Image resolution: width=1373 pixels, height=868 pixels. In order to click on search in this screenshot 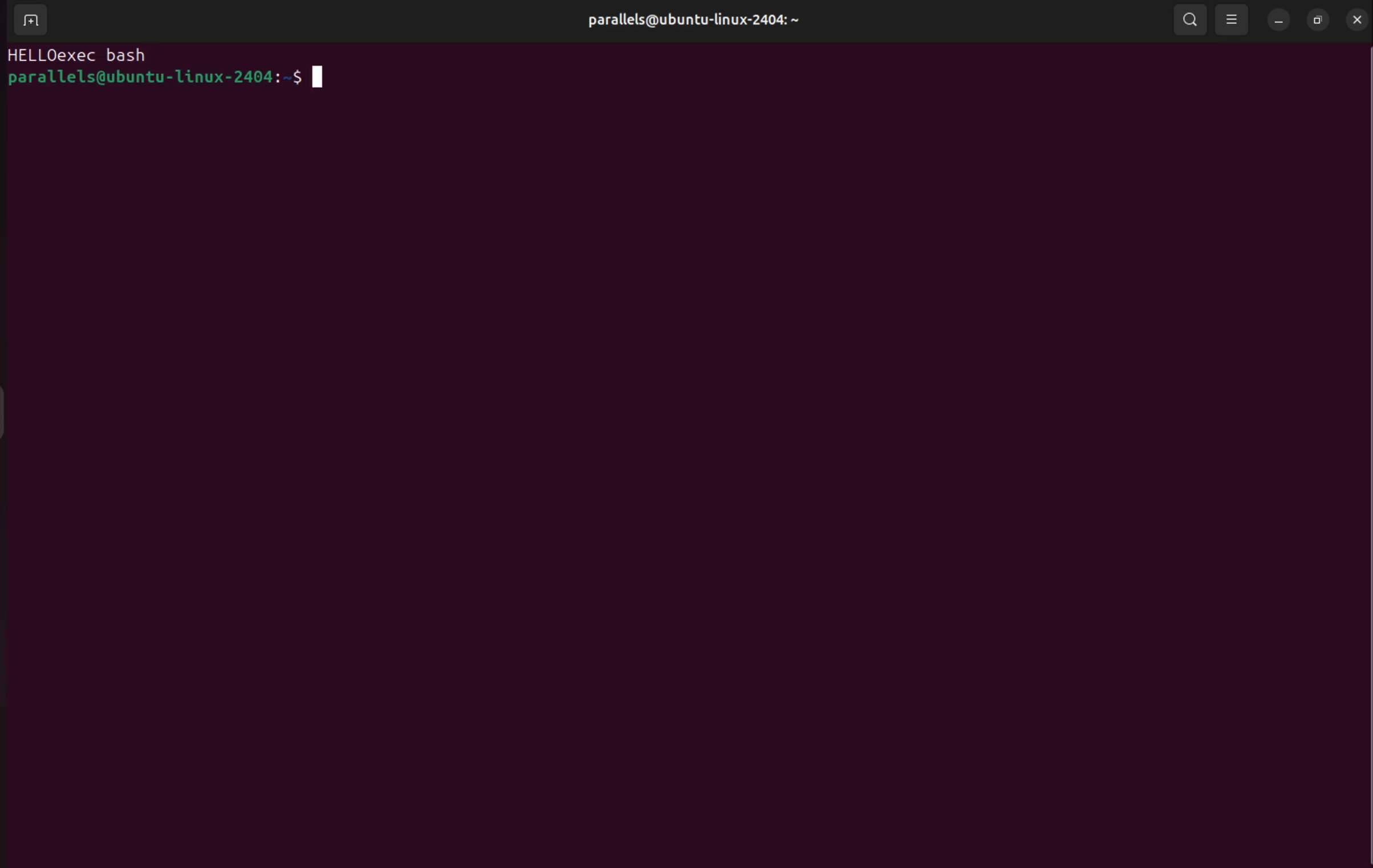, I will do `click(1187, 20)`.